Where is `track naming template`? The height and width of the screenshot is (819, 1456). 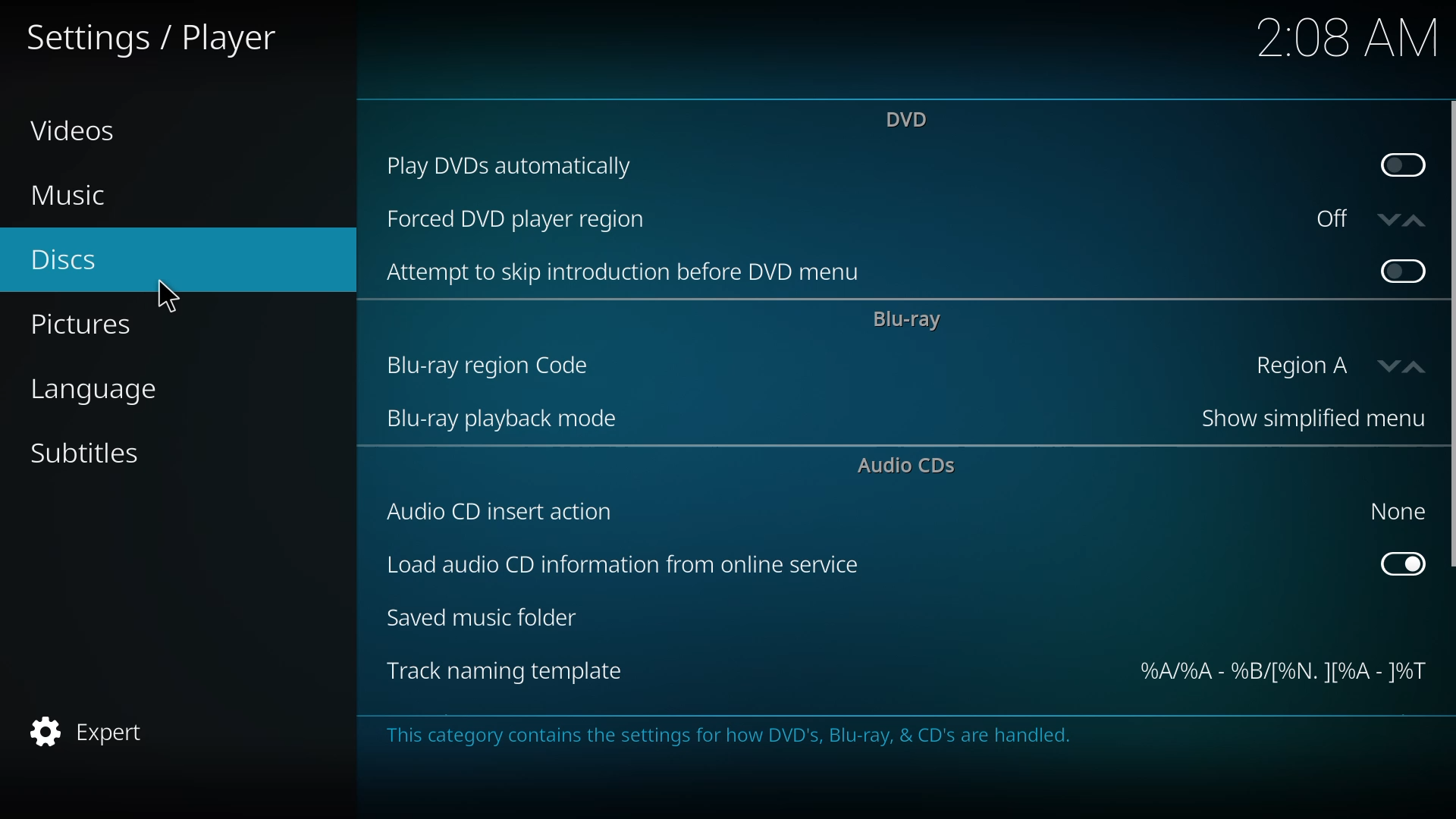 track naming template is located at coordinates (505, 672).